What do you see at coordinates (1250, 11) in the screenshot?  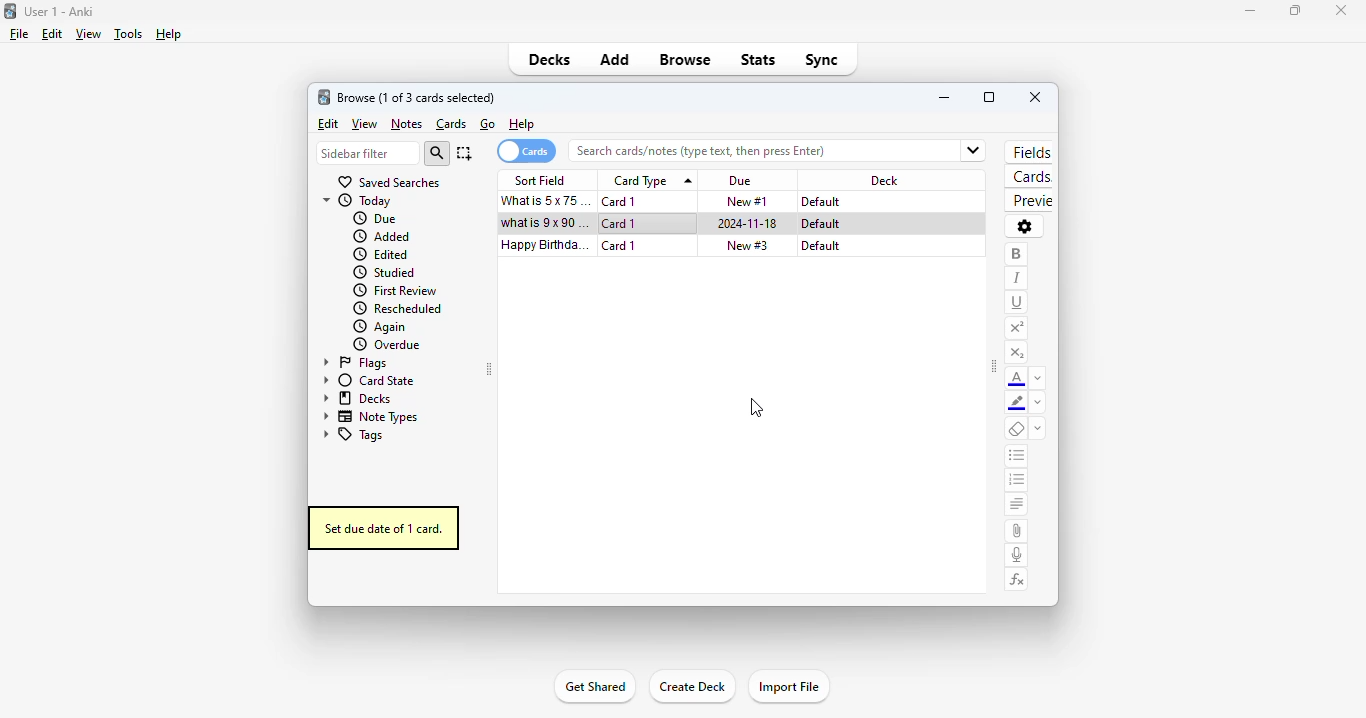 I see `minimize` at bounding box center [1250, 11].